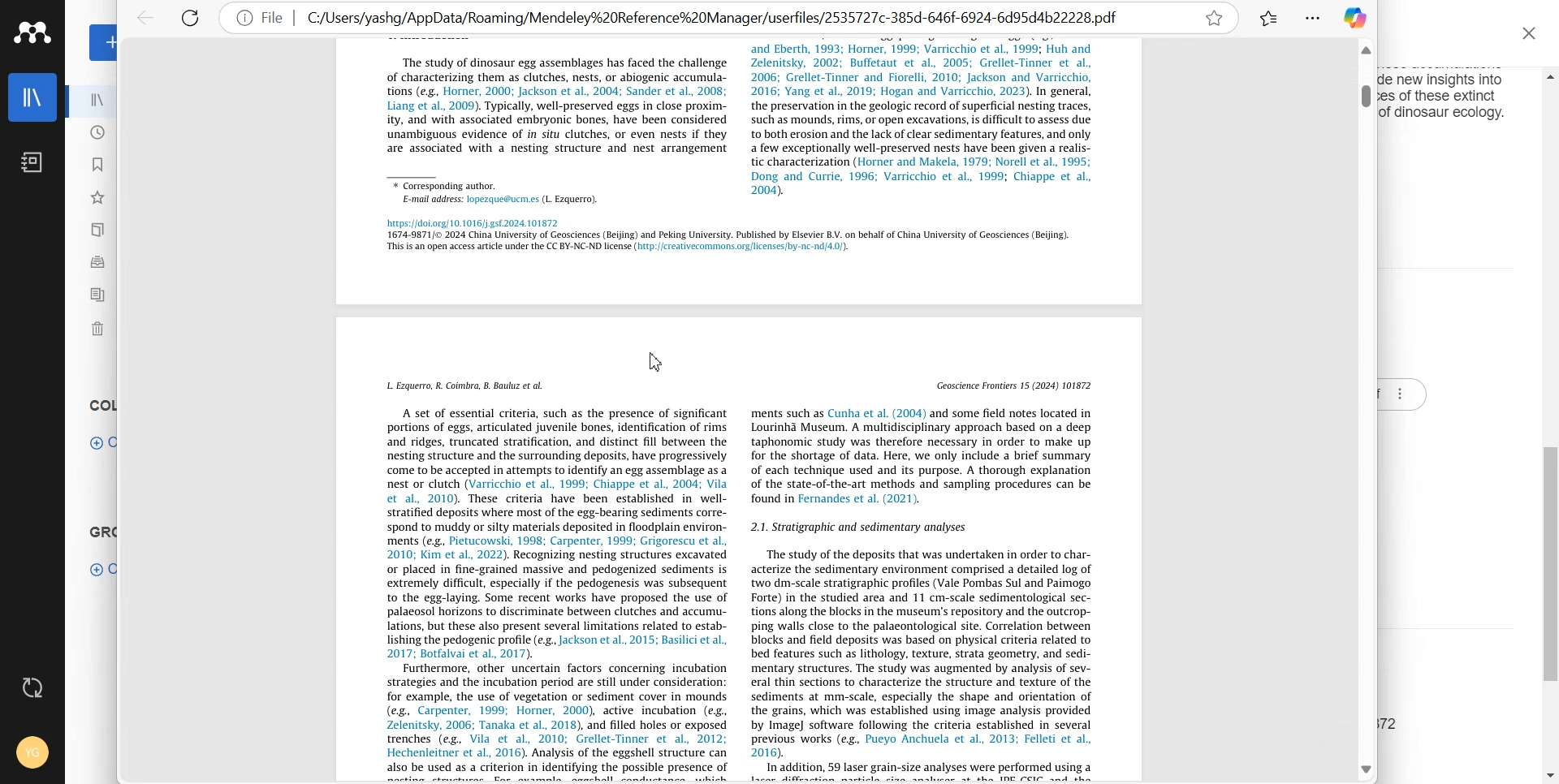 The height and width of the screenshot is (784, 1559). I want to click on Vertical scroll bar, so click(1363, 97).